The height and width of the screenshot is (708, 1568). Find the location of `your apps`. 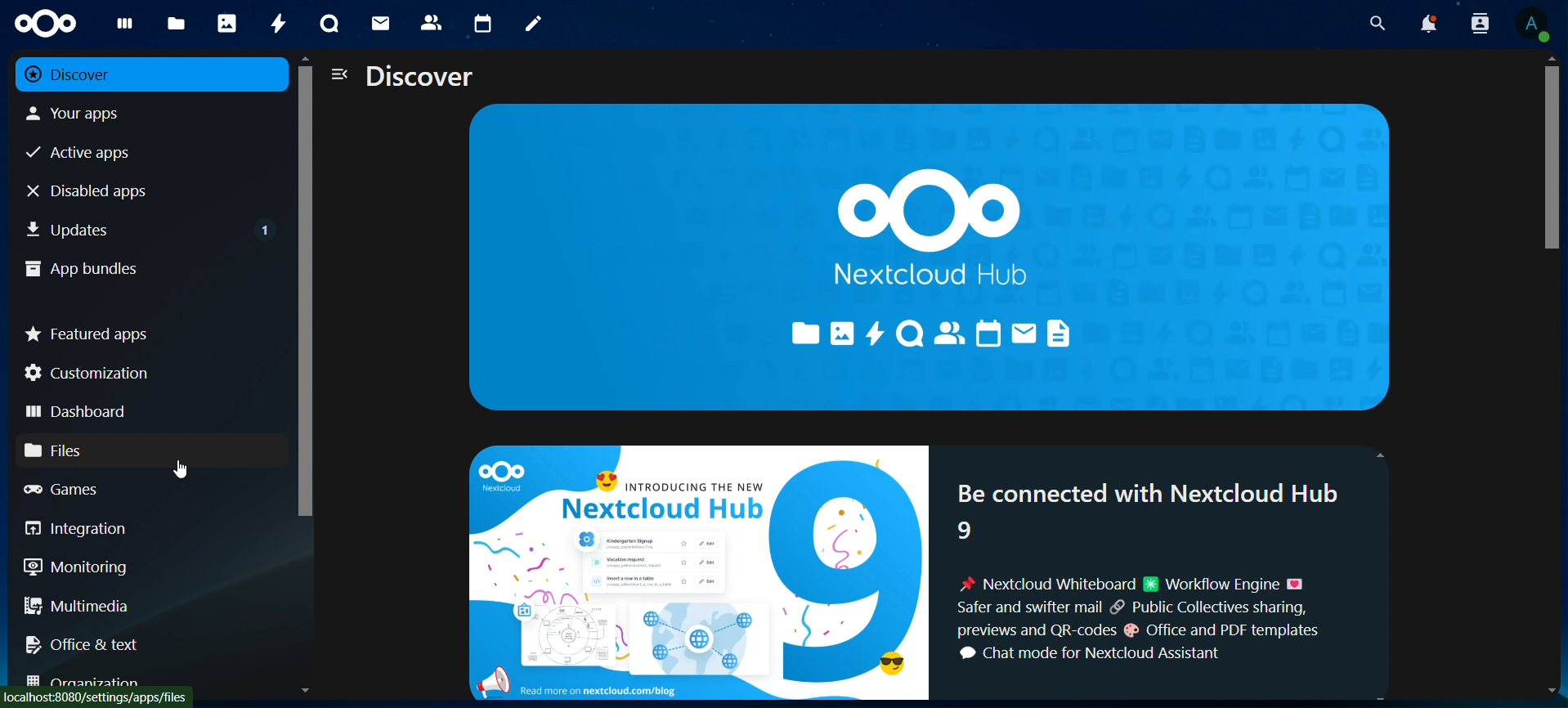

your apps is located at coordinates (89, 112).